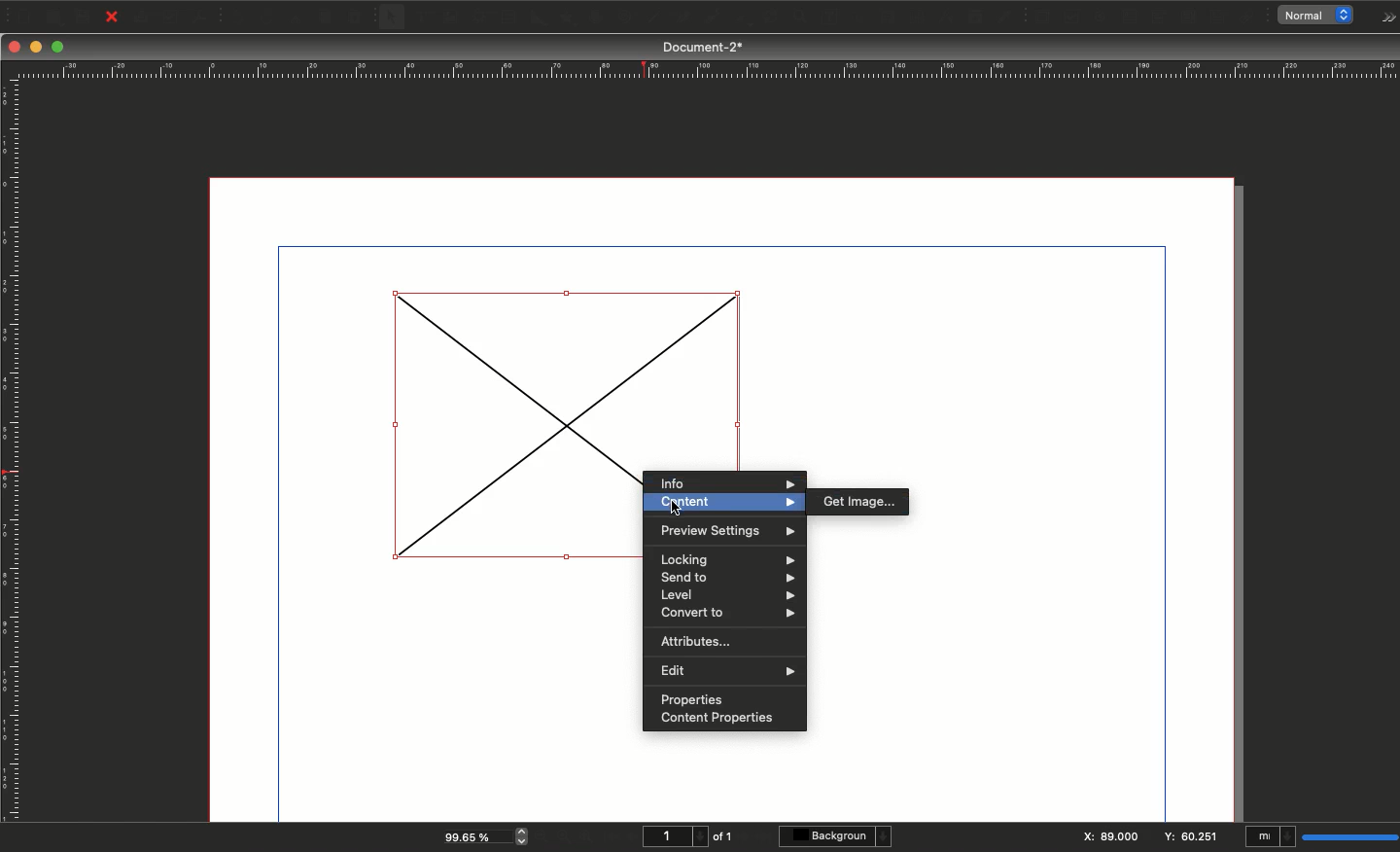 This screenshot has height=852, width=1400. Describe the element at coordinates (1157, 18) in the screenshot. I see `PDF combo box` at that location.